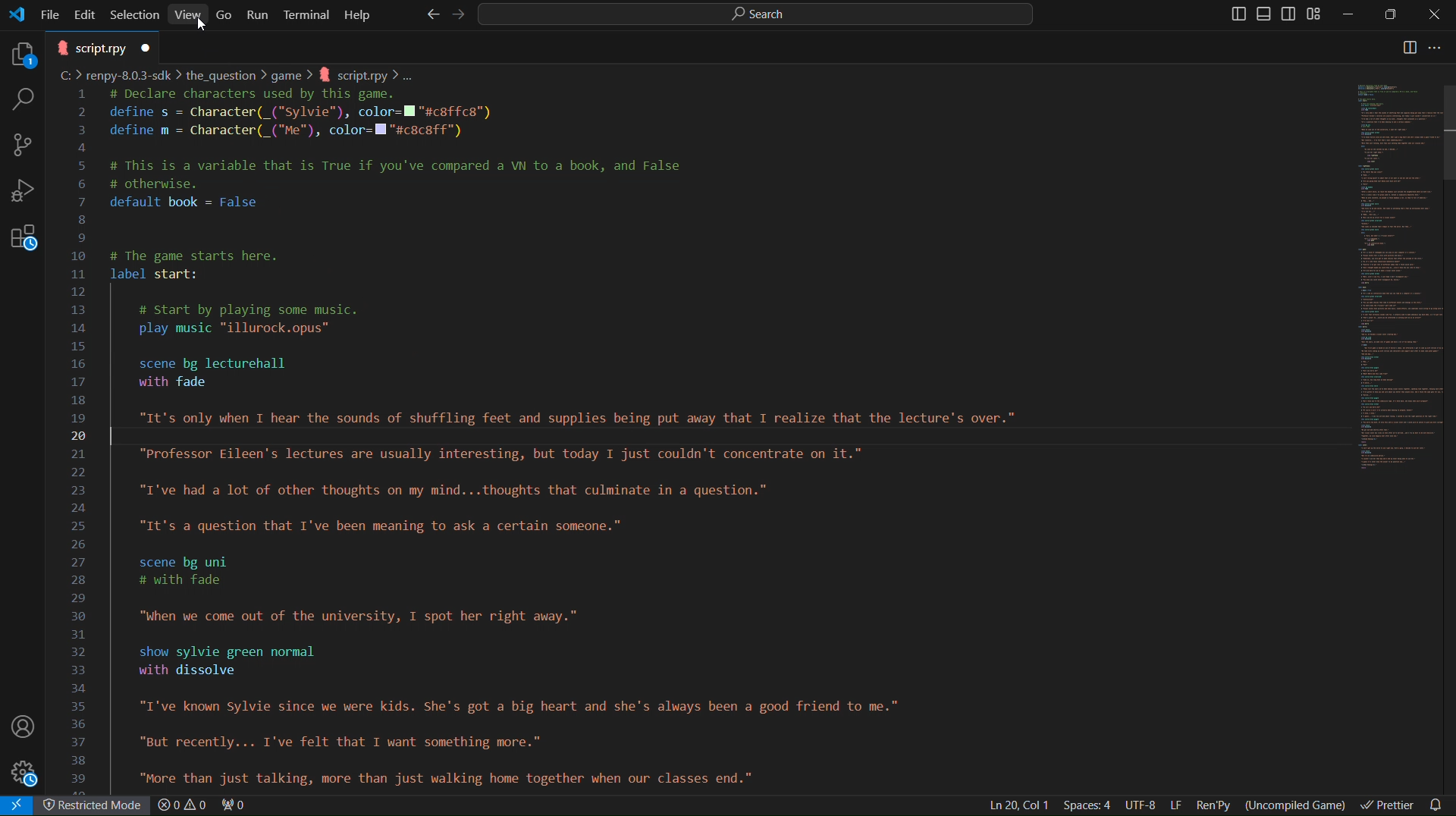 The width and height of the screenshot is (1456, 816). Describe the element at coordinates (76, 438) in the screenshot. I see `Line numbers` at that location.